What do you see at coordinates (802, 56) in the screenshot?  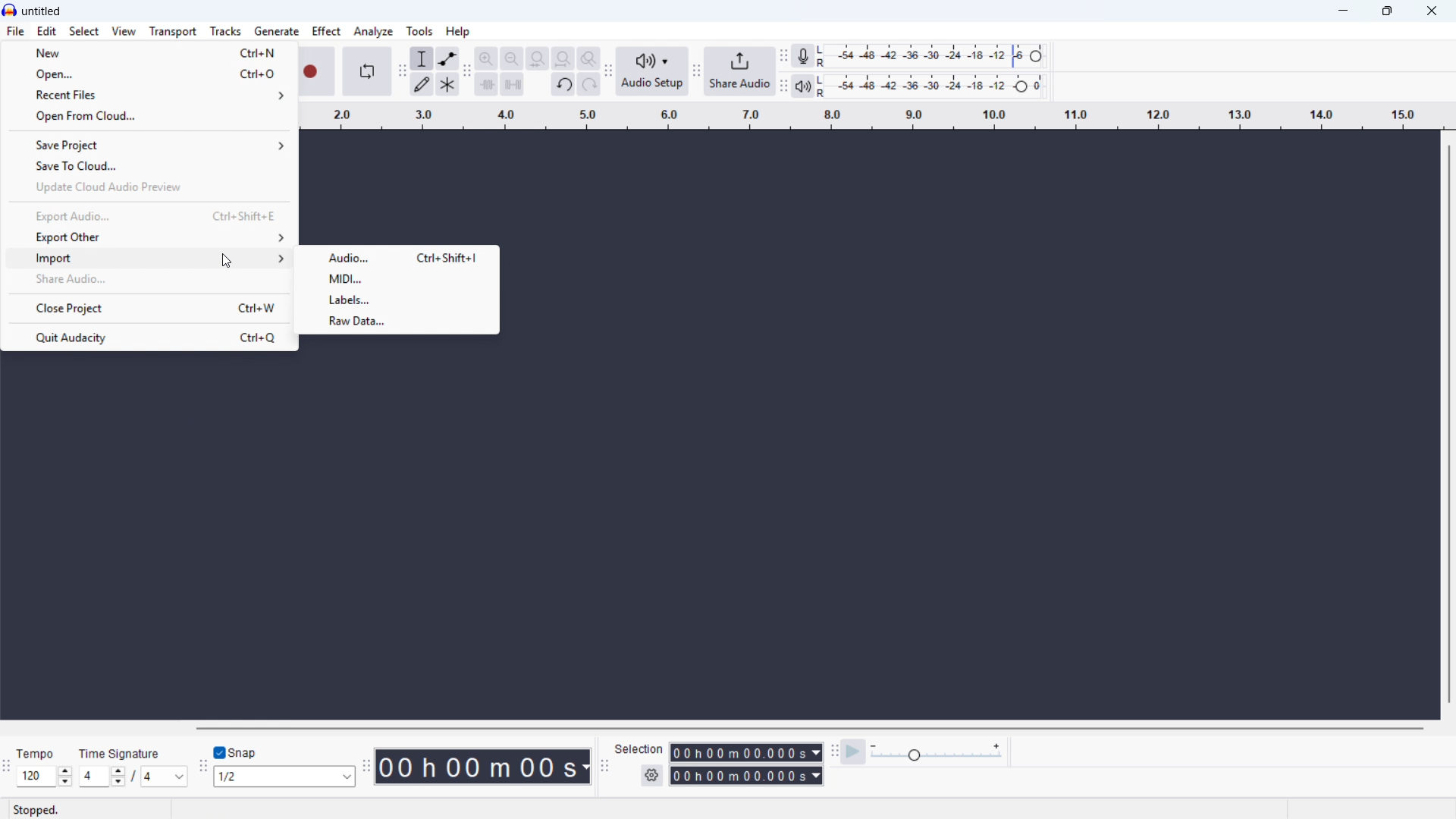 I see `Recording metre ` at bounding box center [802, 56].